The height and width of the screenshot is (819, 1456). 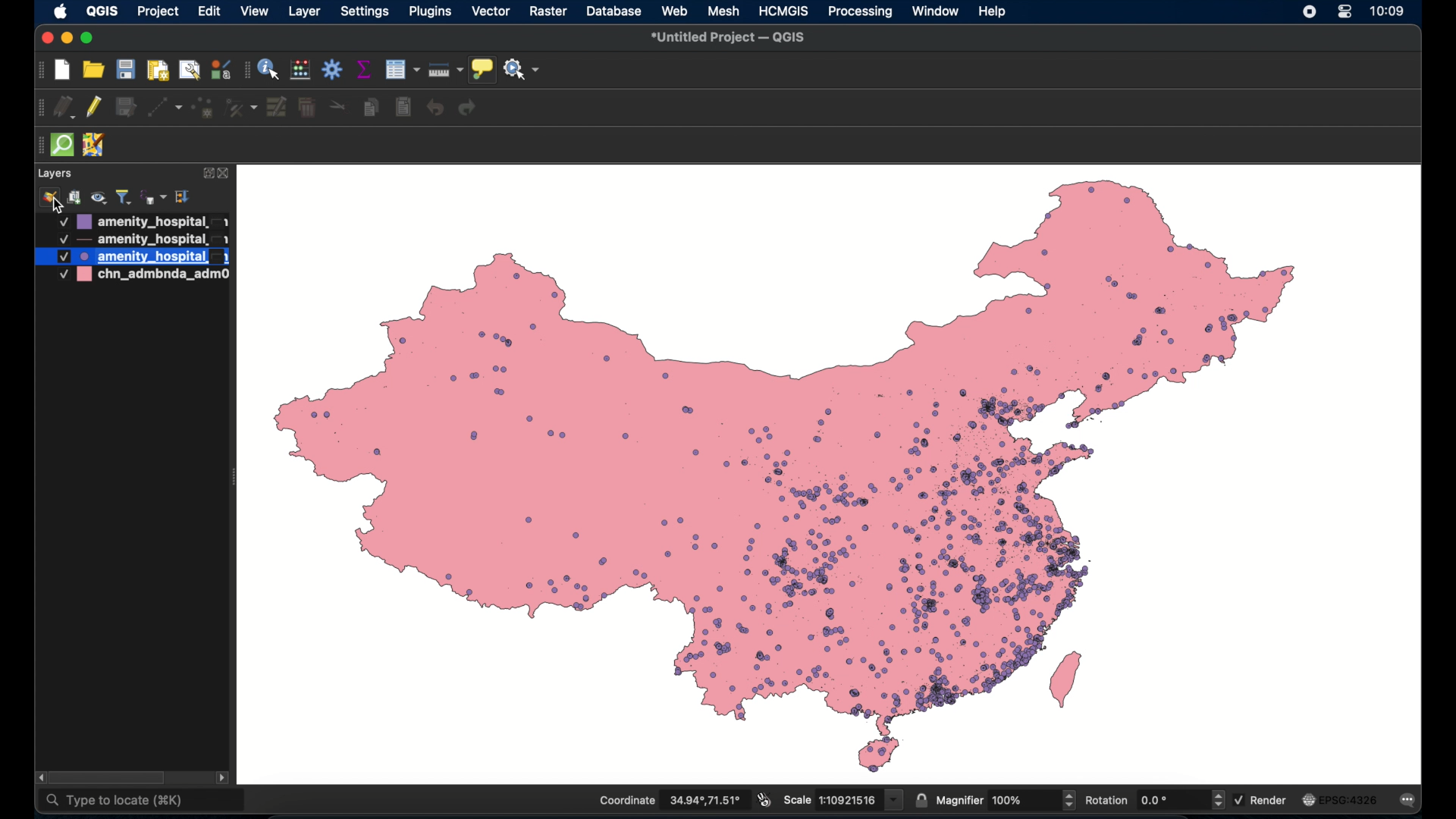 What do you see at coordinates (137, 276) in the screenshot?
I see `layer 4` at bounding box center [137, 276].